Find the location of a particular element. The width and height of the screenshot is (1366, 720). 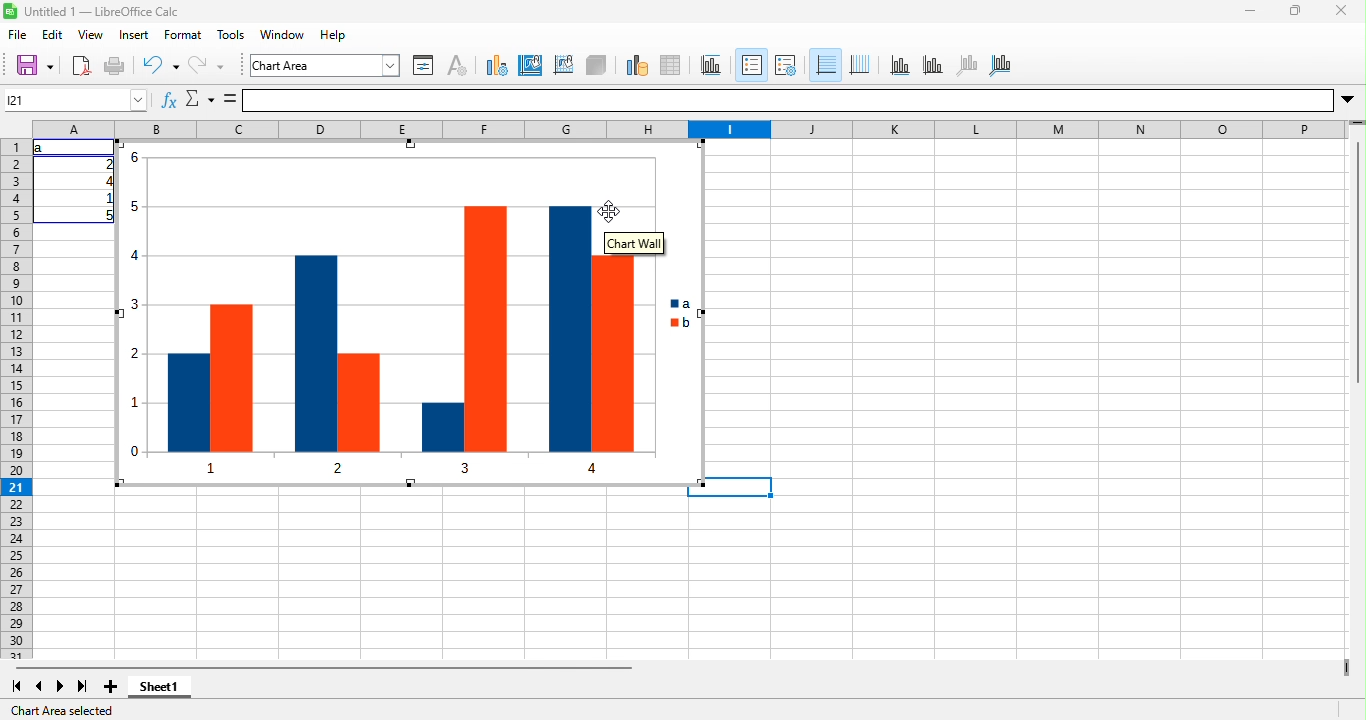

first sheet is located at coordinates (17, 686).